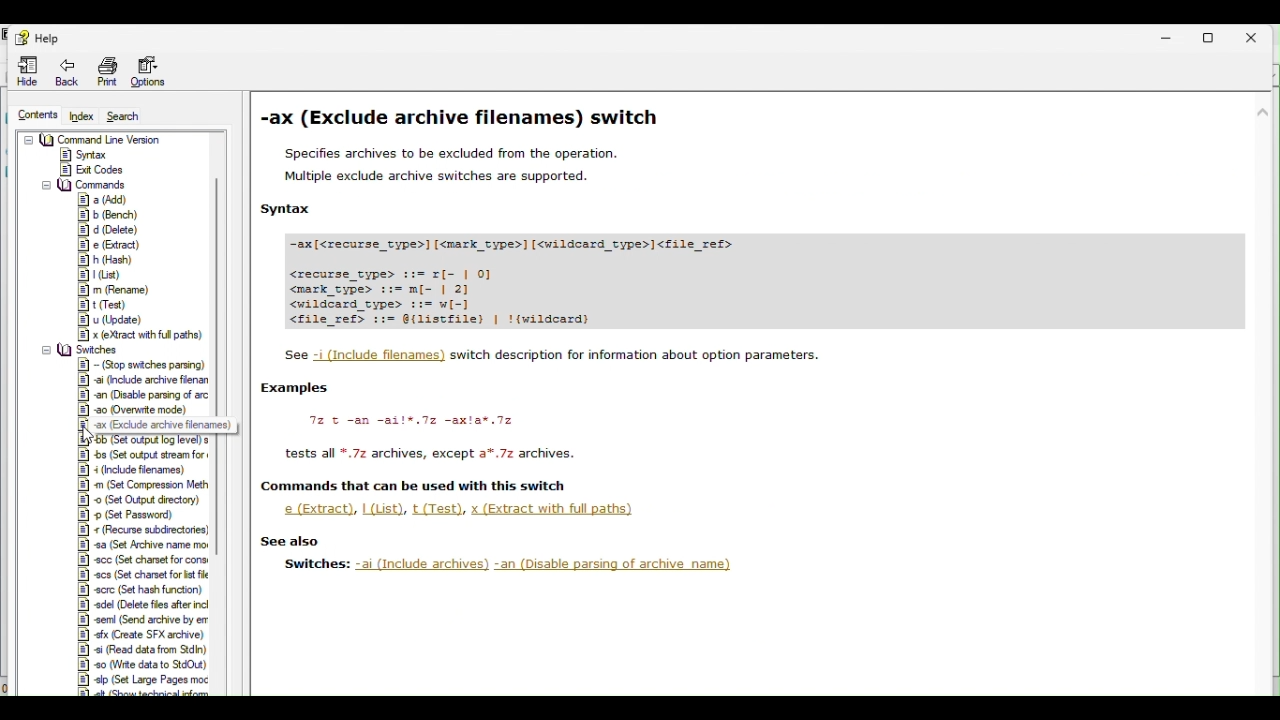 The image size is (1280, 720). I want to click on |§] 4 (Include filenames) |, so click(145, 470).